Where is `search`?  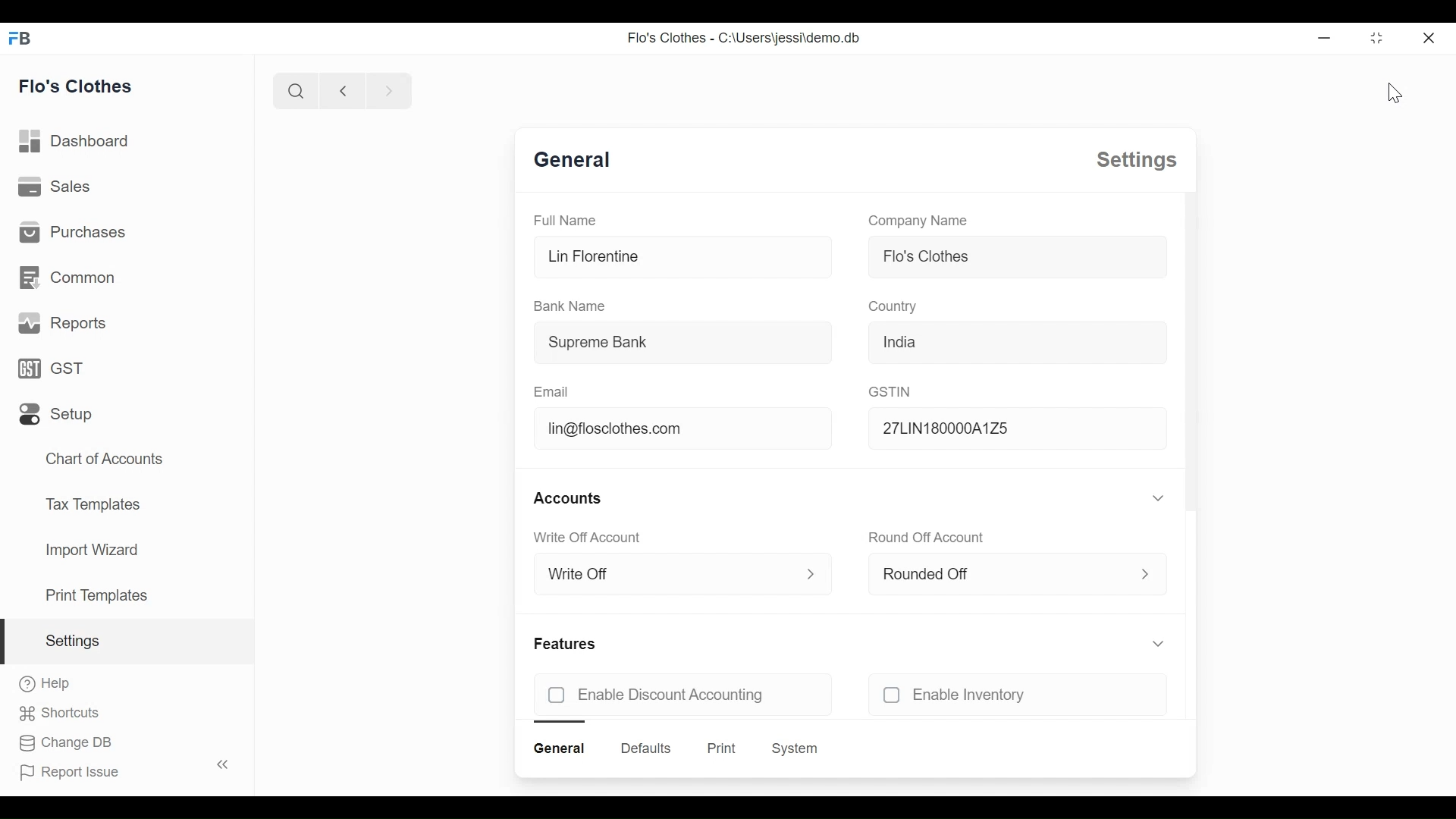
search is located at coordinates (295, 90).